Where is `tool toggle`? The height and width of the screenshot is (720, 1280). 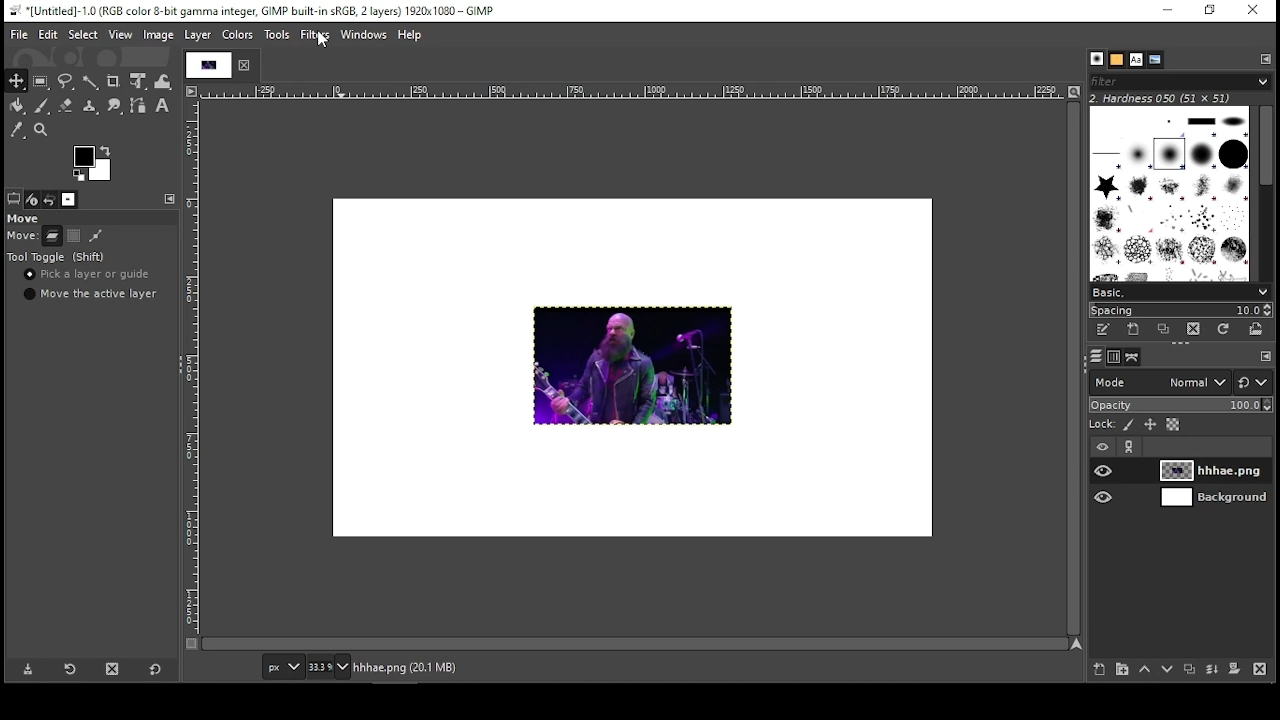 tool toggle is located at coordinates (55, 257).